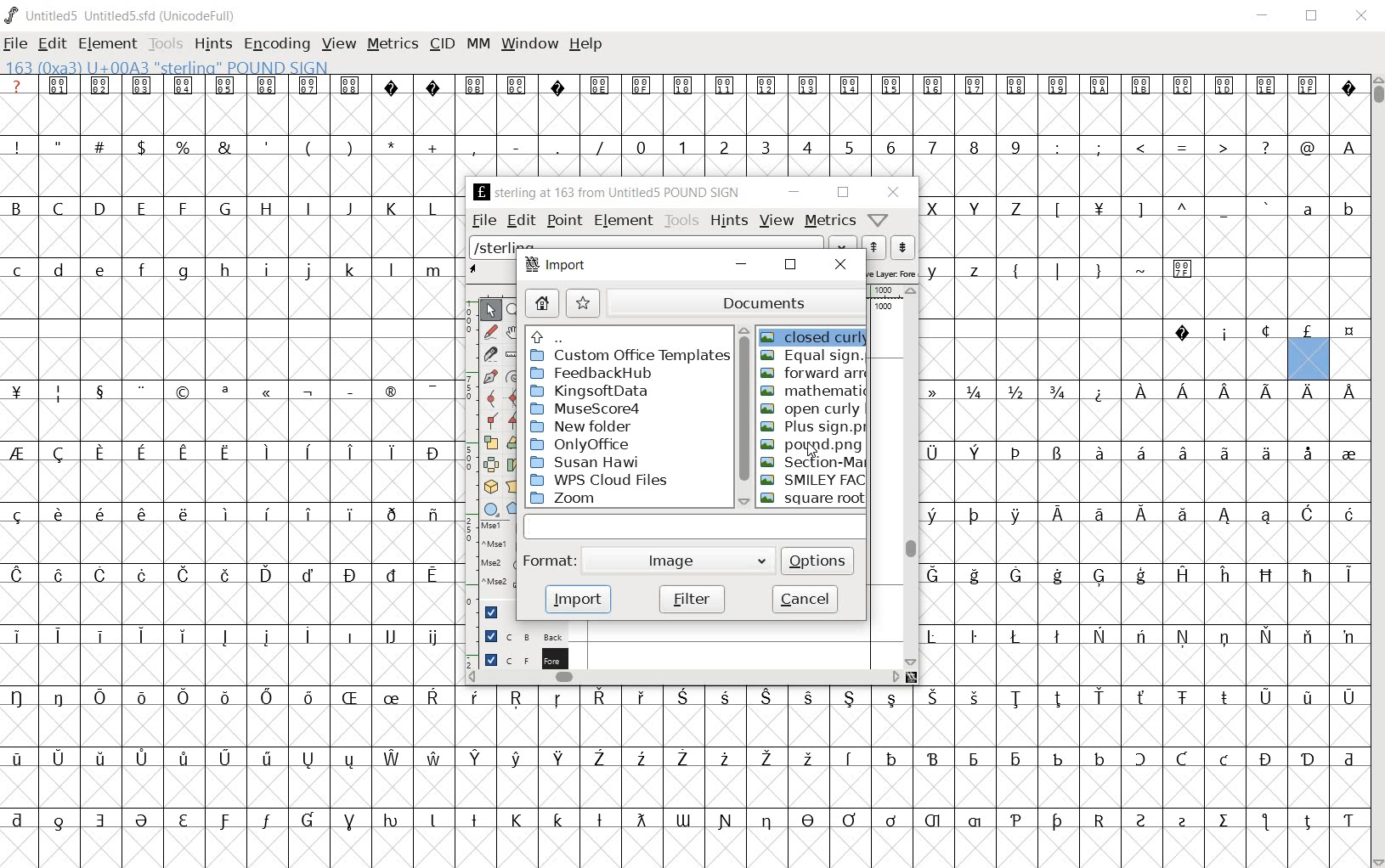  Describe the element at coordinates (891, 192) in the screenshot. I see `close` at that location.